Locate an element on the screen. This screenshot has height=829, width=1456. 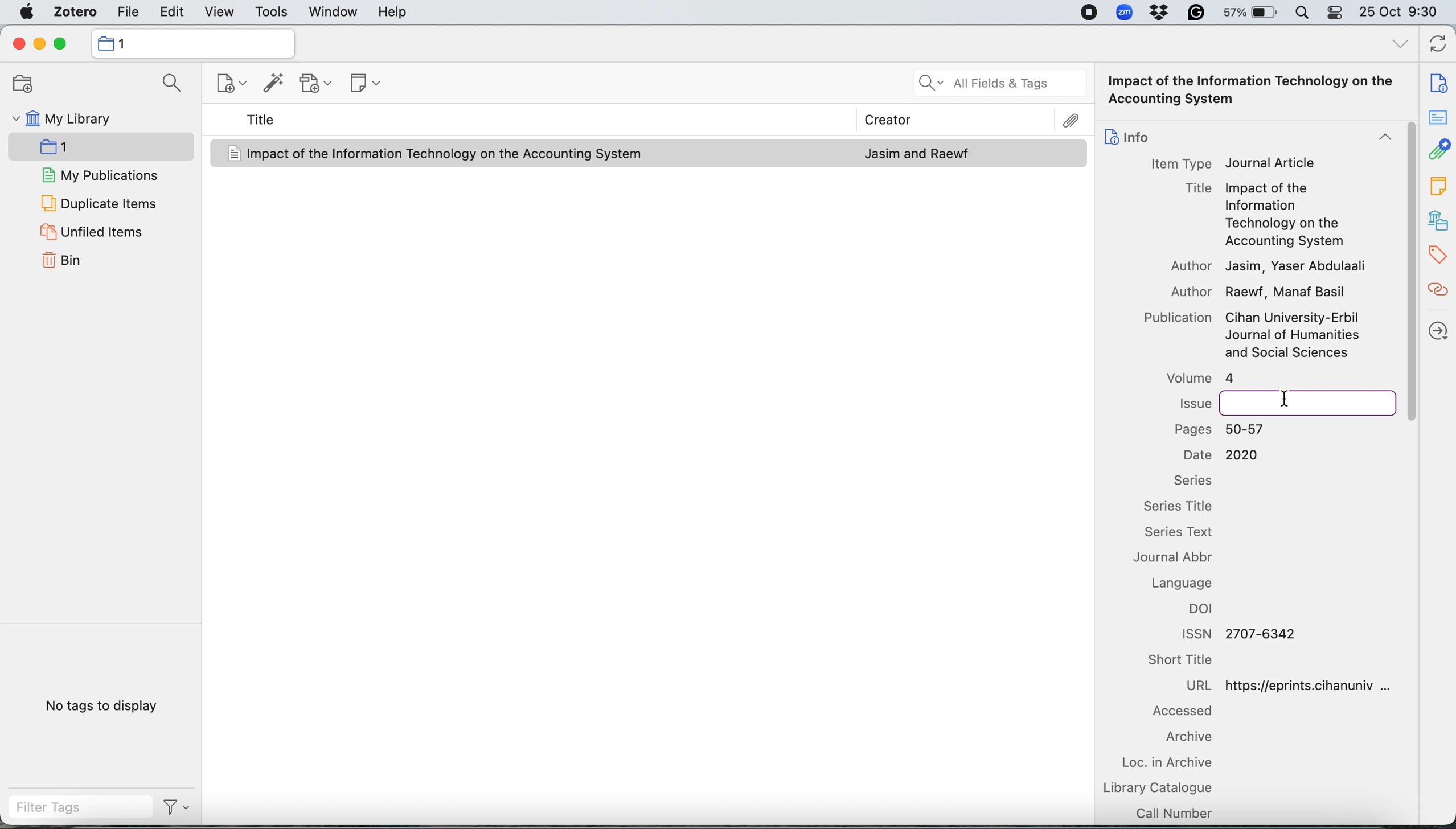
new item is located at coordinates (231, 84).